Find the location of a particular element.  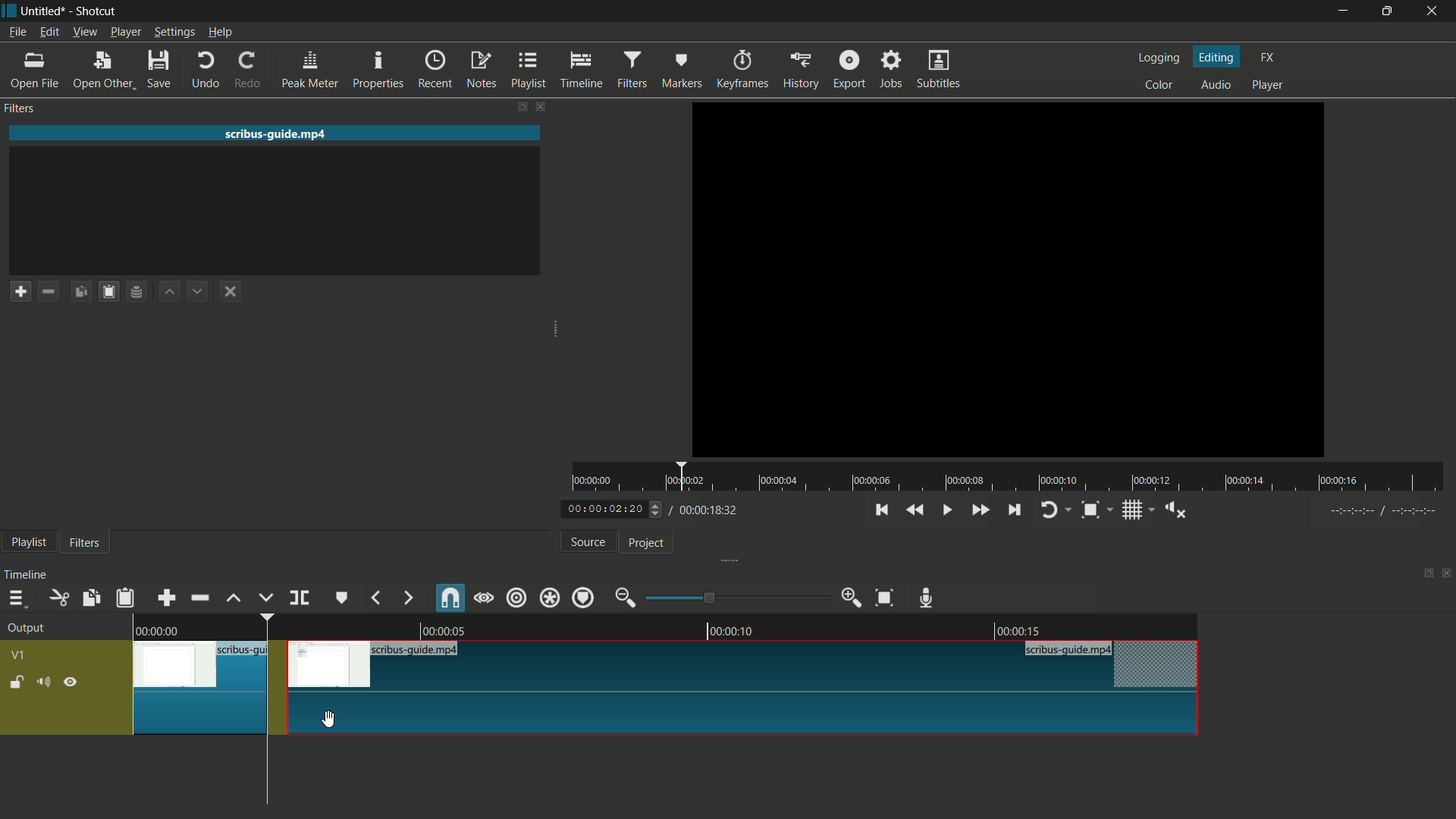

quickly play forward is located at coordinates (981, 510).